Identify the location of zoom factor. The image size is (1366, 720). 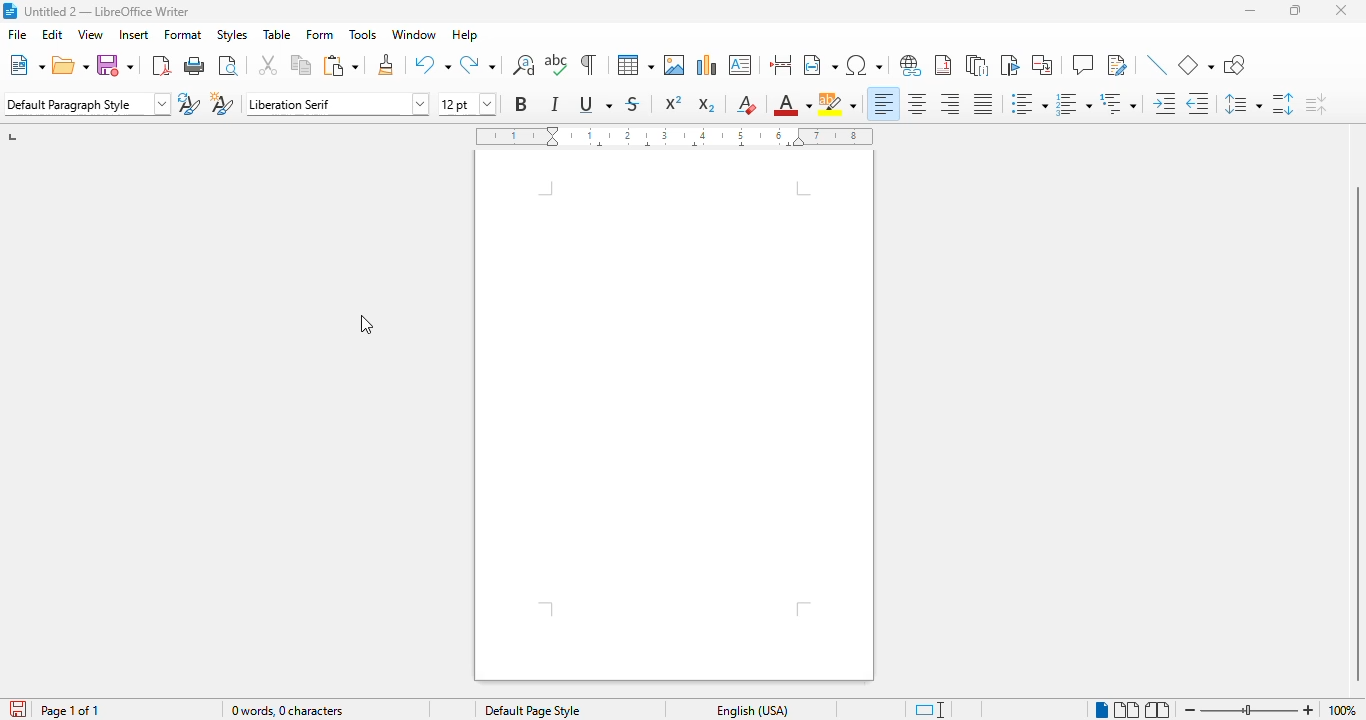
(1343, 710).